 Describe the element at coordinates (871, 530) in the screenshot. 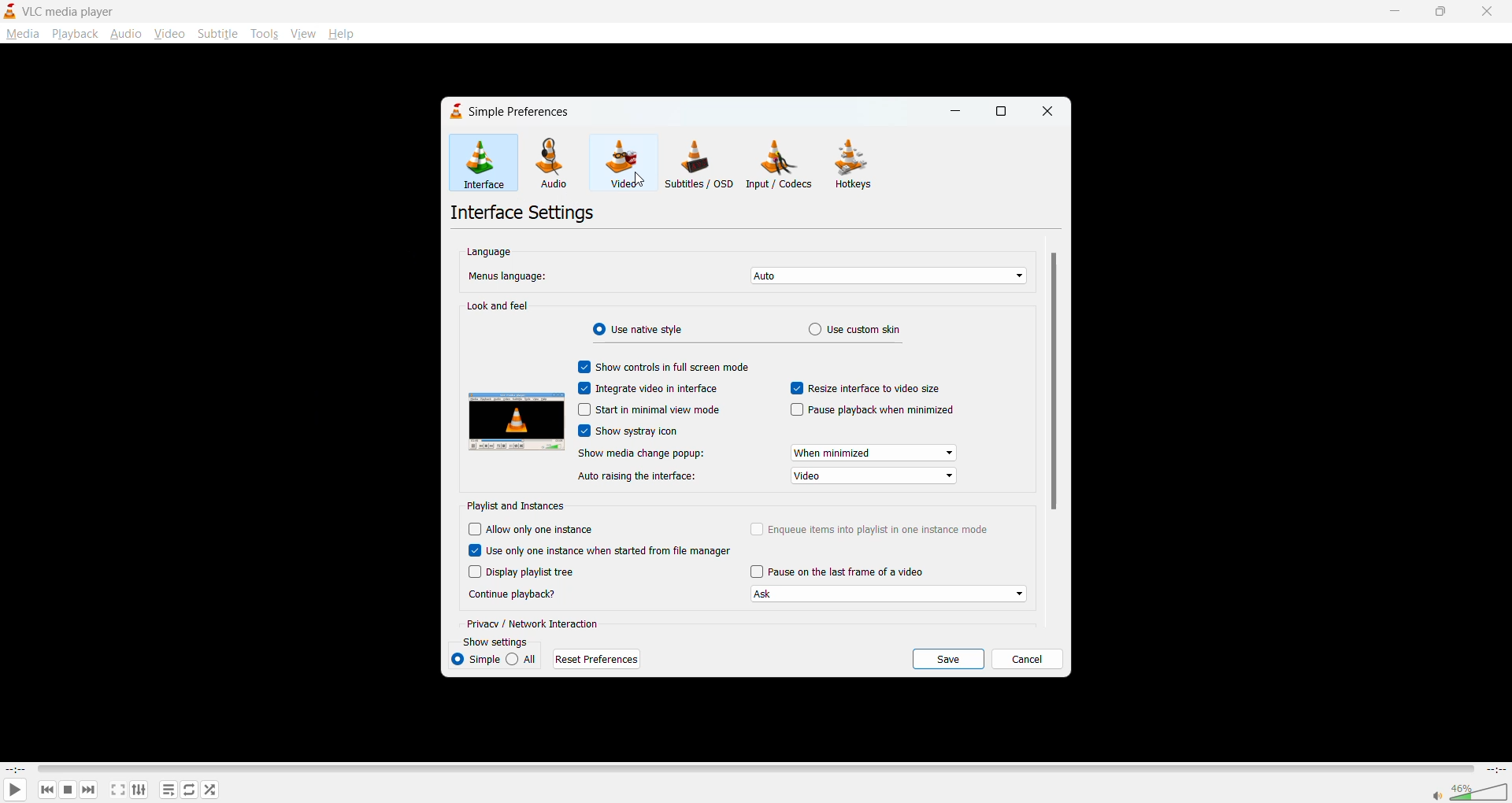

I see `enqueue items into playlist in one instance mode` at that location.